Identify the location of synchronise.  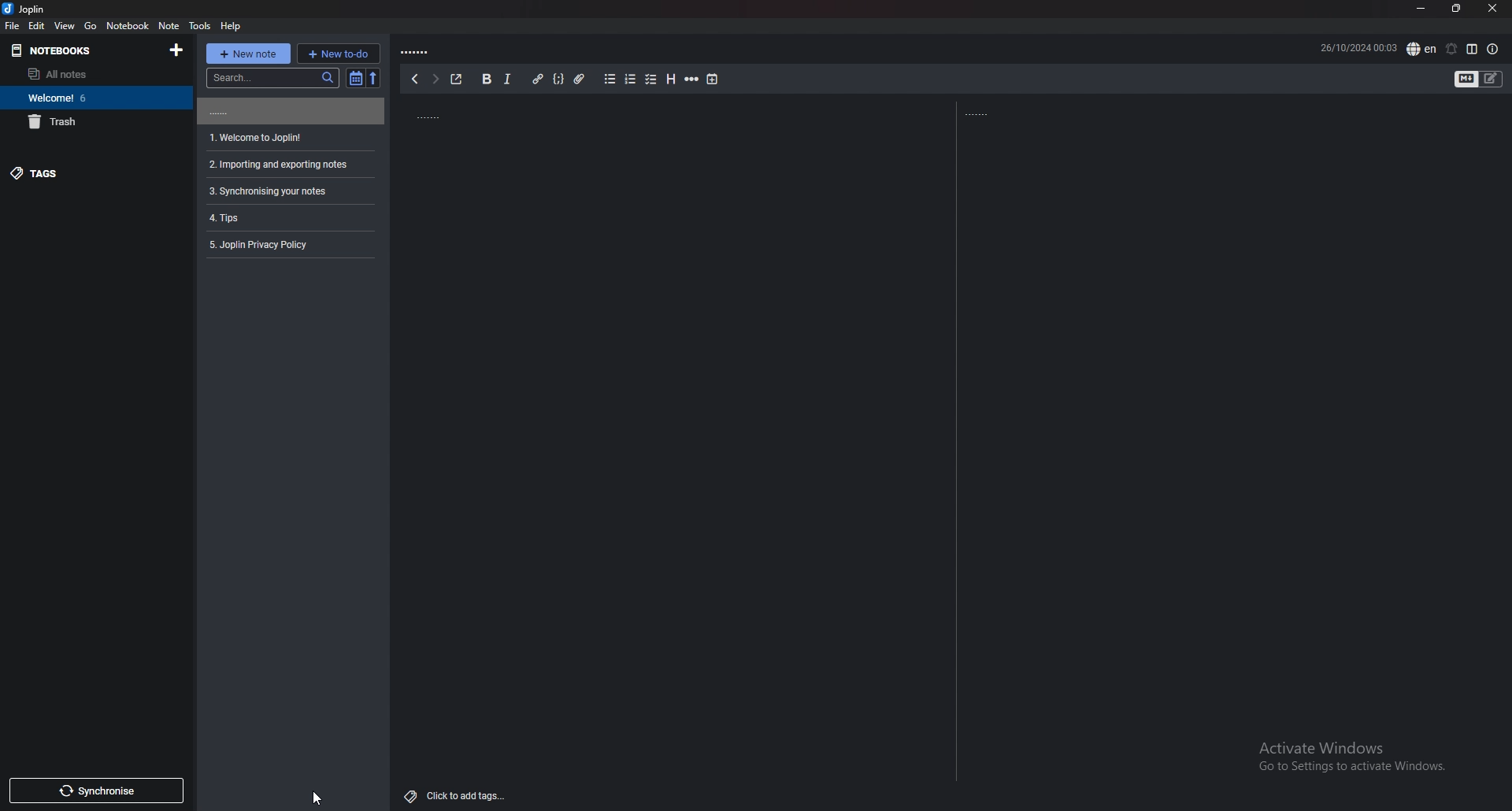
(97, 791).